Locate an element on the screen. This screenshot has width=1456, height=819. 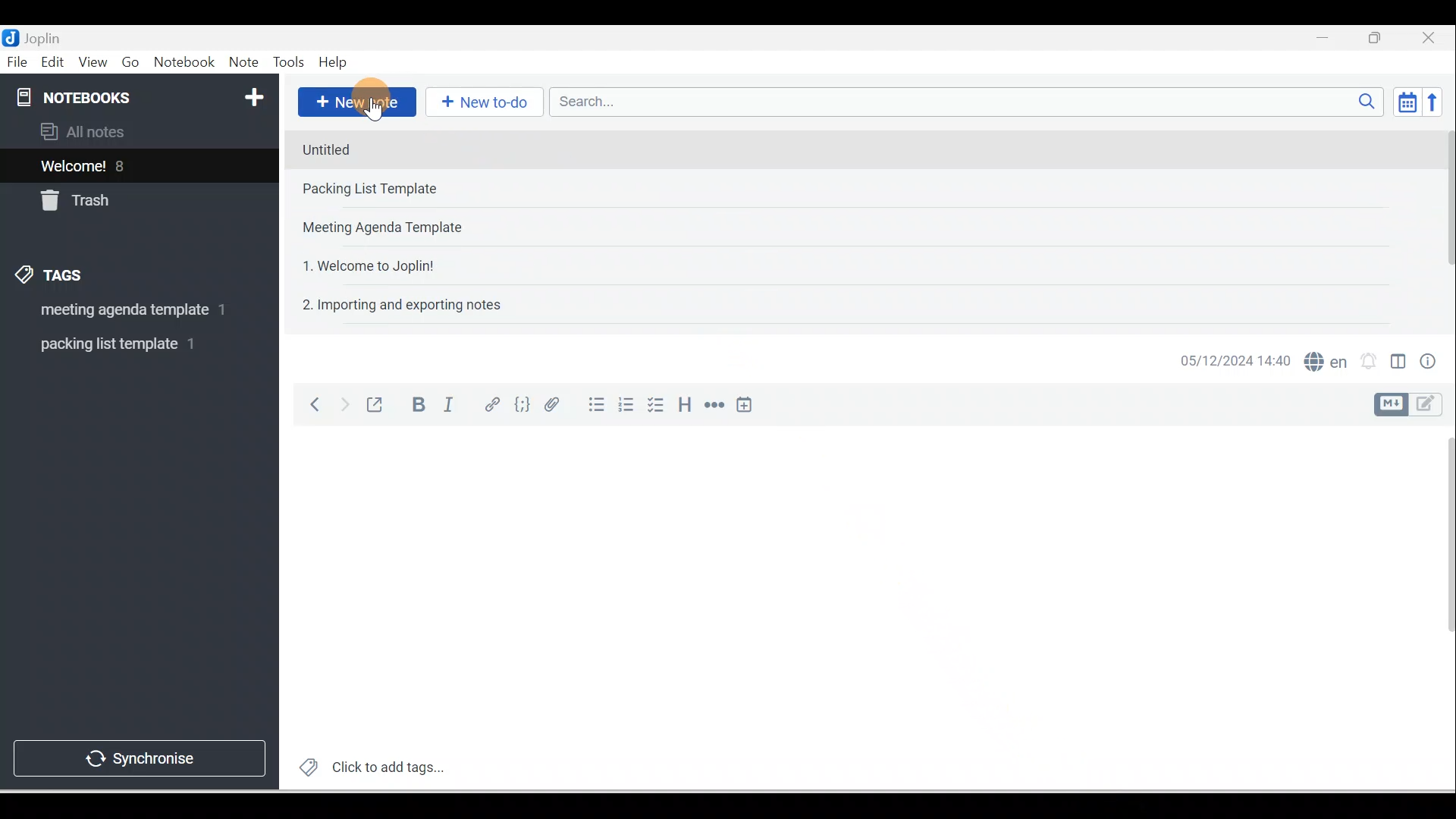
Notes is located at coordinates (128, 162).